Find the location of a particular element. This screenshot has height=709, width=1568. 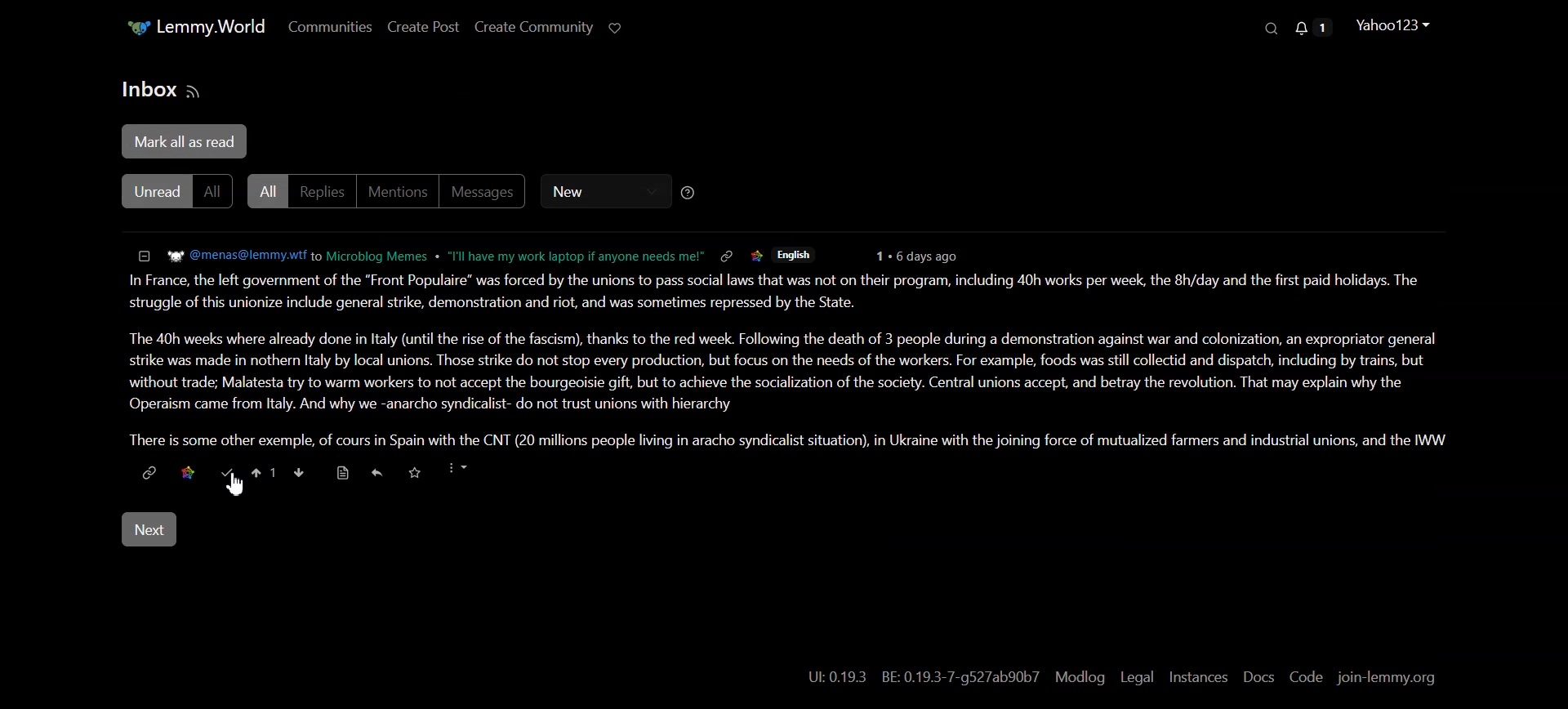

Save is located at coordinates (189, 472).